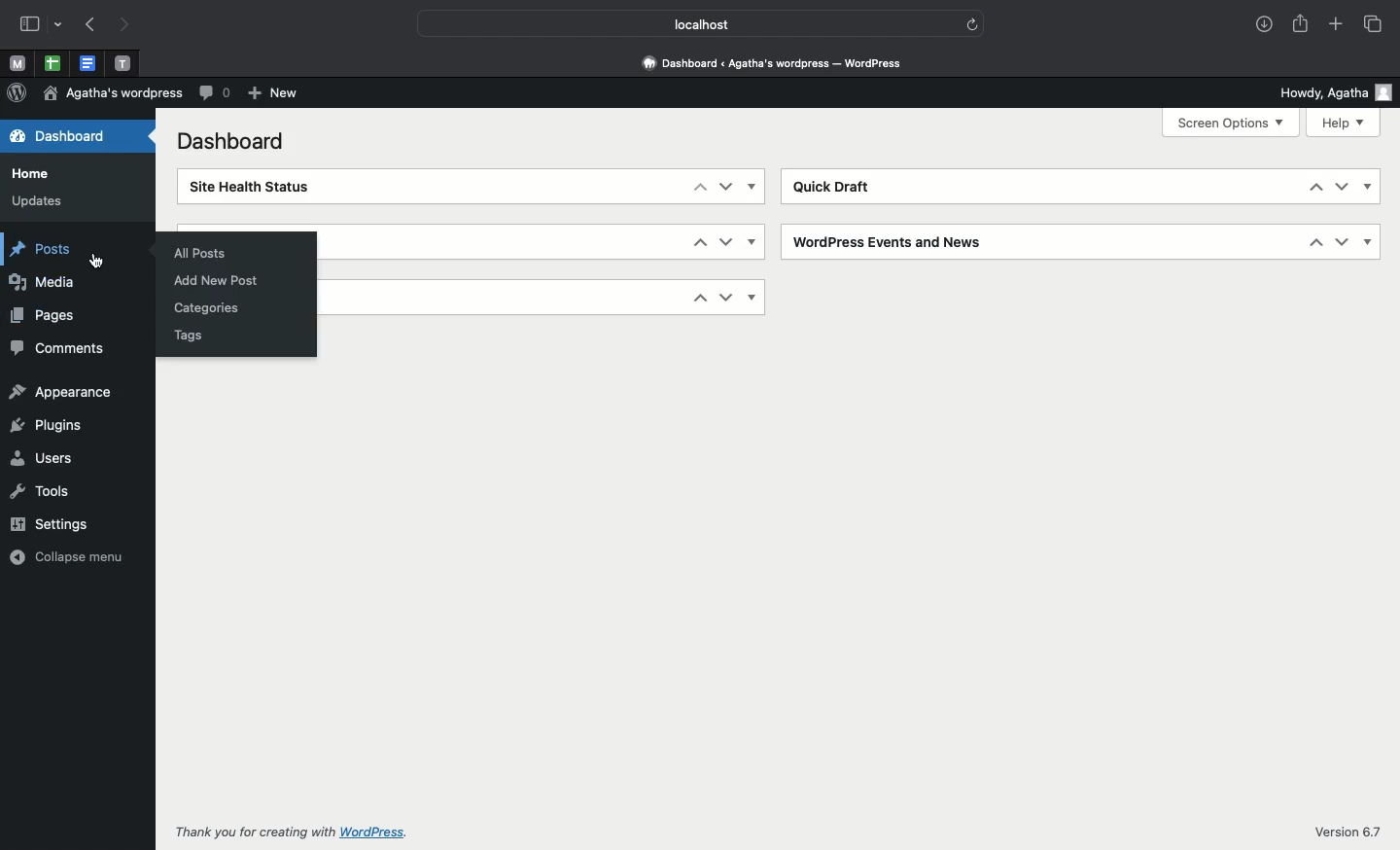 The height and width of the screenshot is (850, 1400). Describe the element at coordinates (887, 241) in the screenshot. I see `WordPress events and news` at that location.